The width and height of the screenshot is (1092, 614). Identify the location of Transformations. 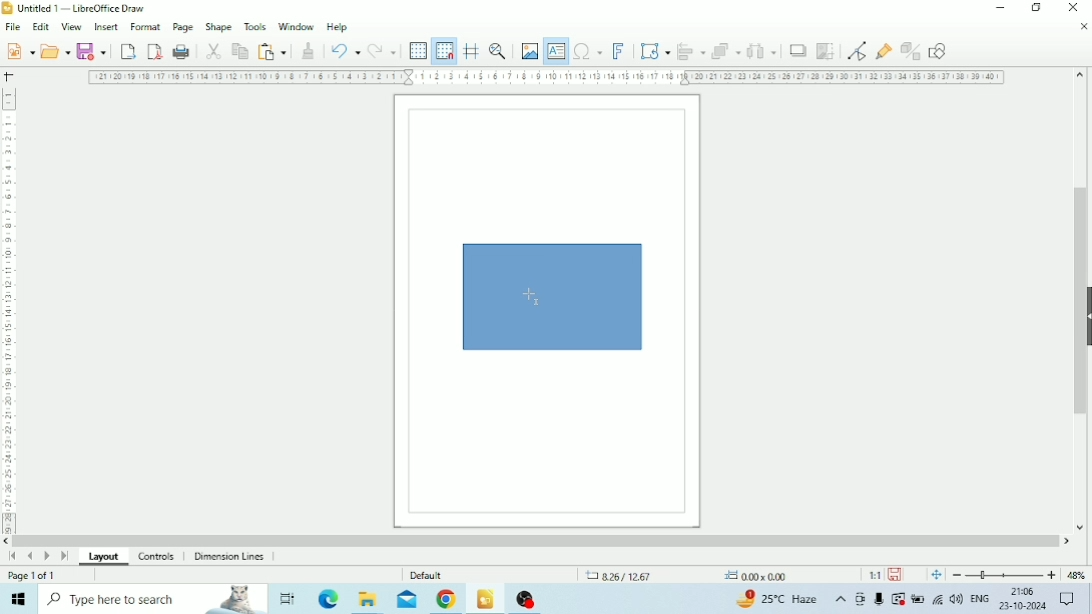
(655, 51).